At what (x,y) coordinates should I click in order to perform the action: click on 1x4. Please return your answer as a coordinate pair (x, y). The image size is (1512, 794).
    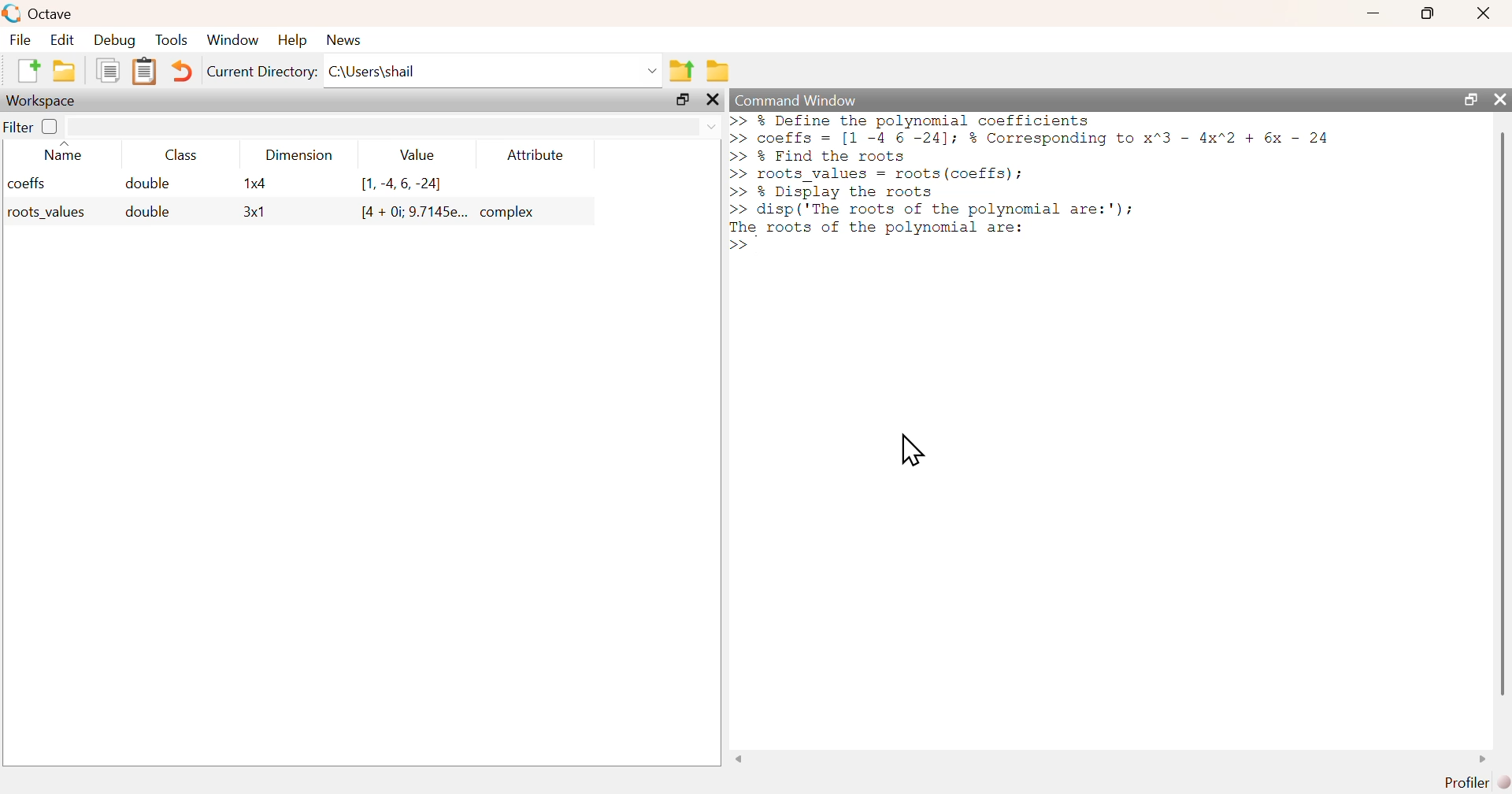
    Looking at the image, I should click on (254, 184).